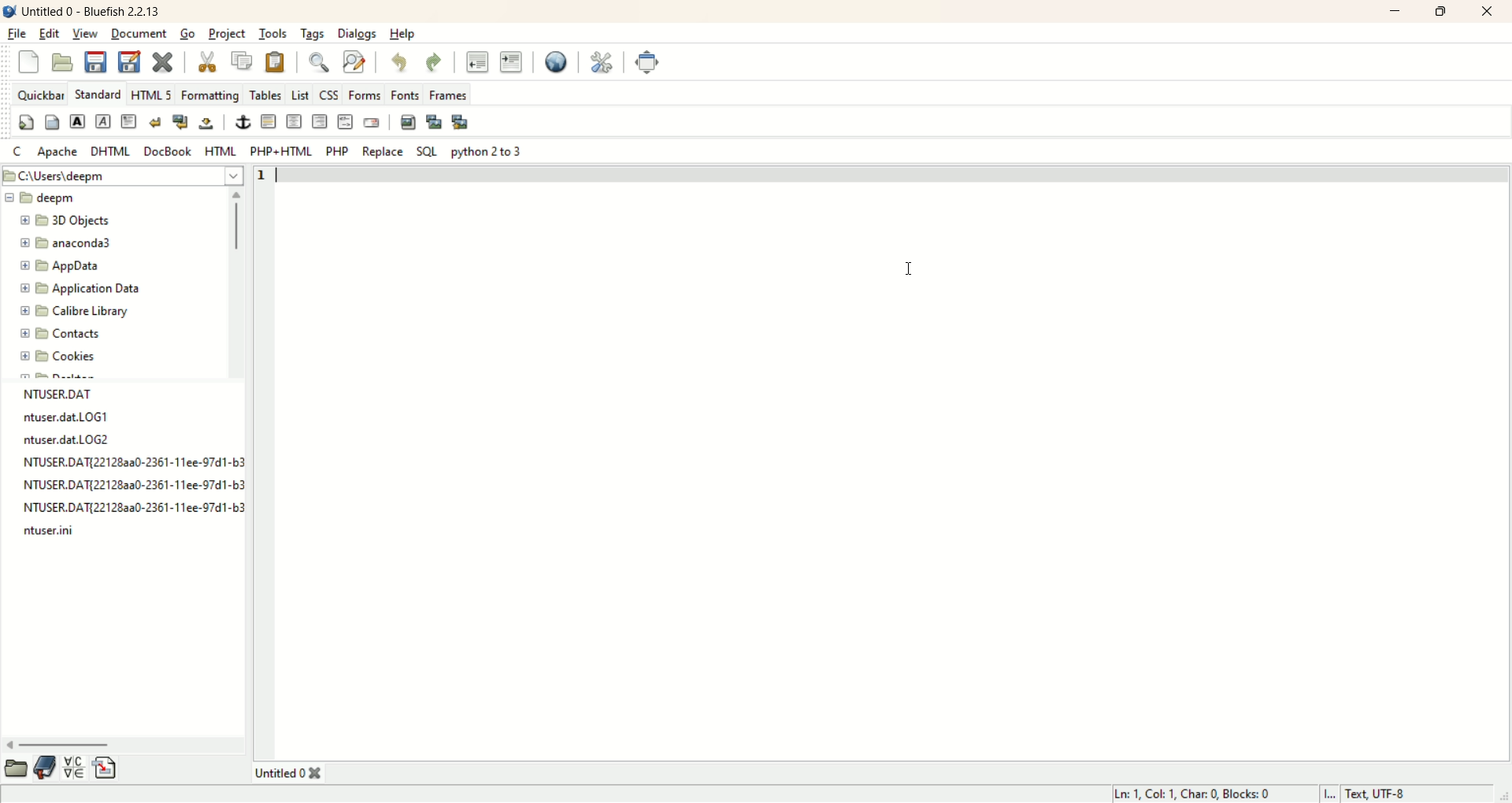  Describe the element at coordinates (233, 287) in the screenshot. I see `vertical scroll bar` at that location.